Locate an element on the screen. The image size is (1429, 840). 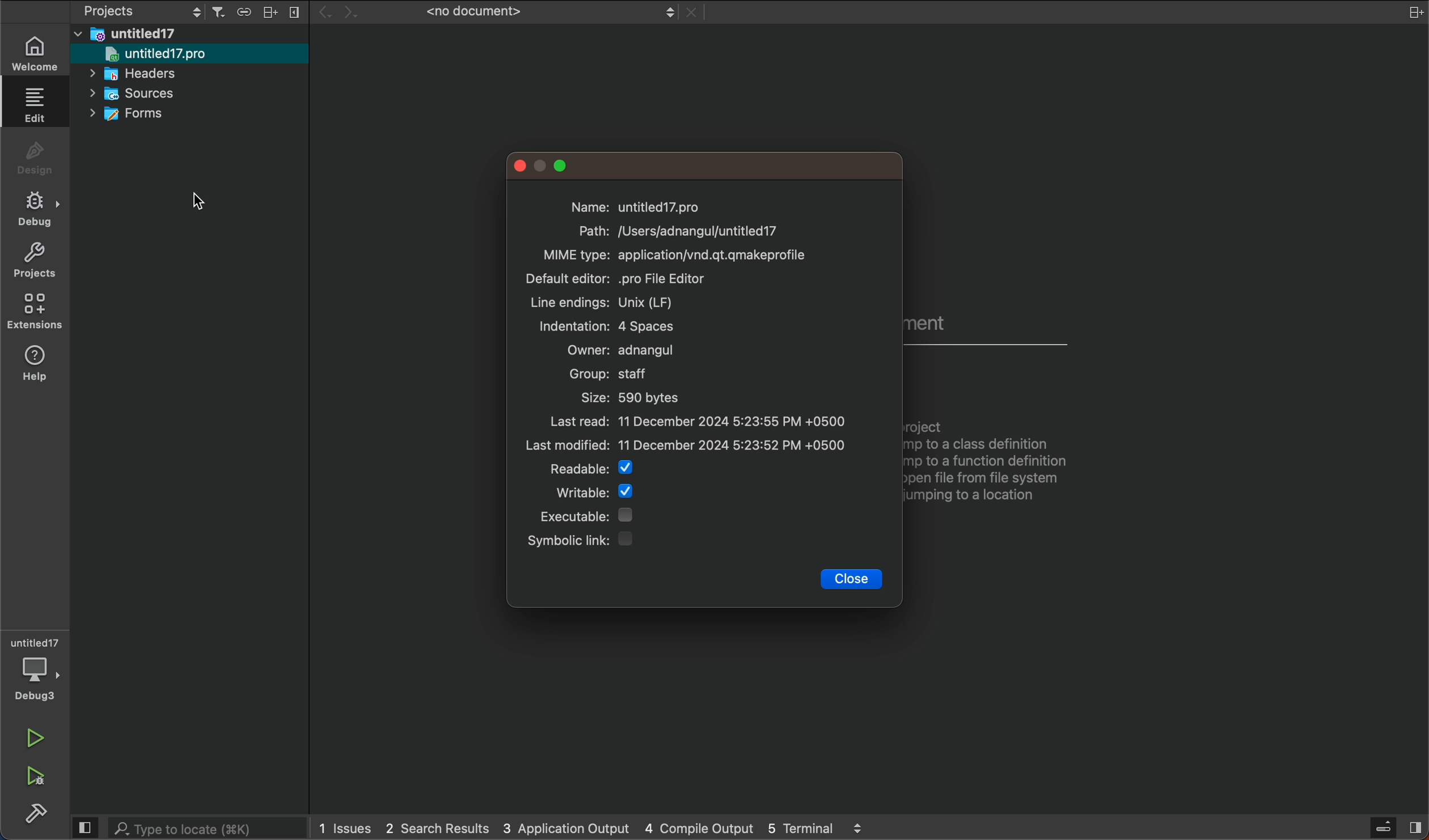
extensions is located at coordinates (37, 312).